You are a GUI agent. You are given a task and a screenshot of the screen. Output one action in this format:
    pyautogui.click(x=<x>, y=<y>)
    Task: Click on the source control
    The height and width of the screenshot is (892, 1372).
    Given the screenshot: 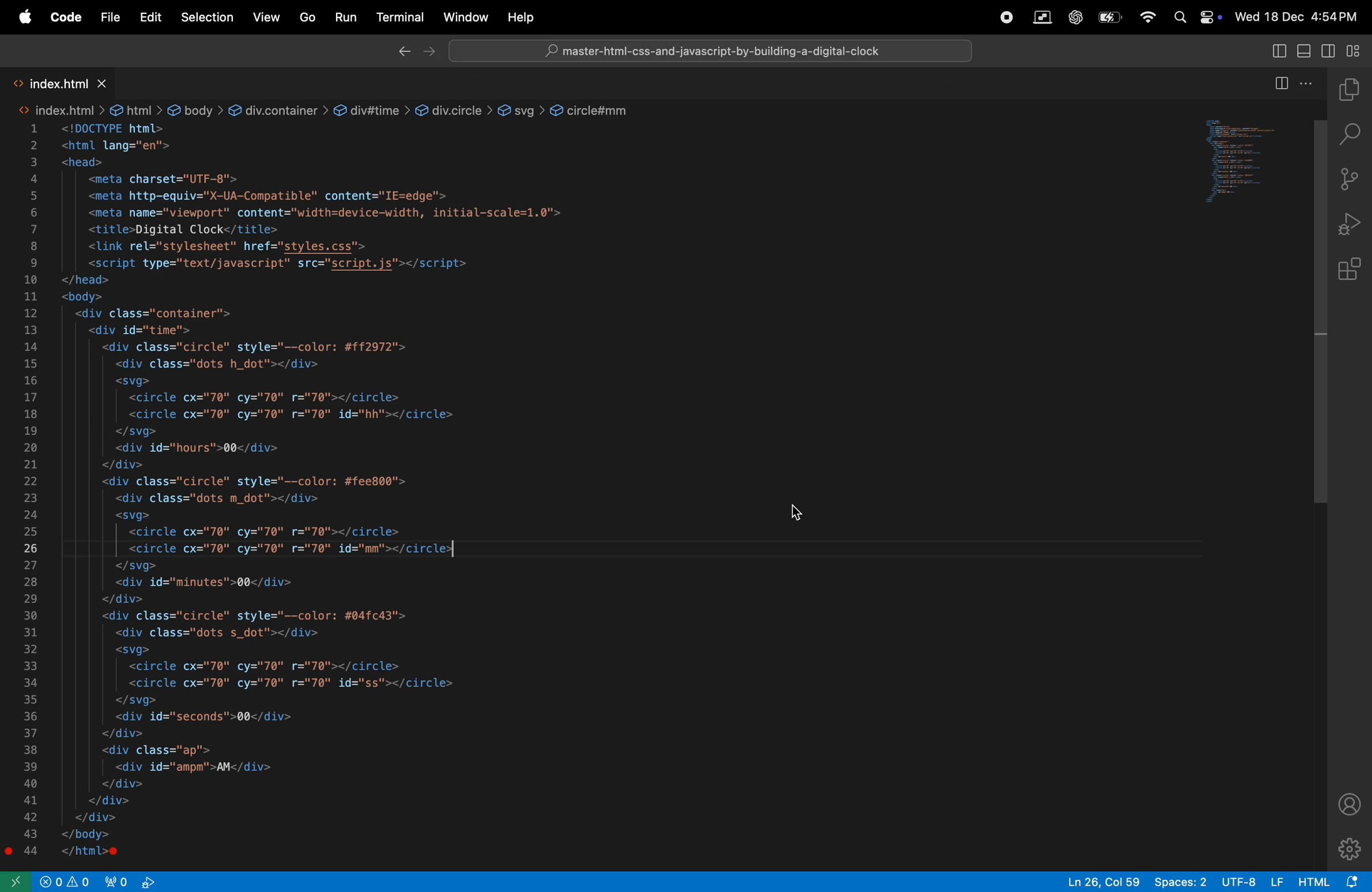 What is the action you would take?
    pyautogui.click(x=1353, y=181)
    